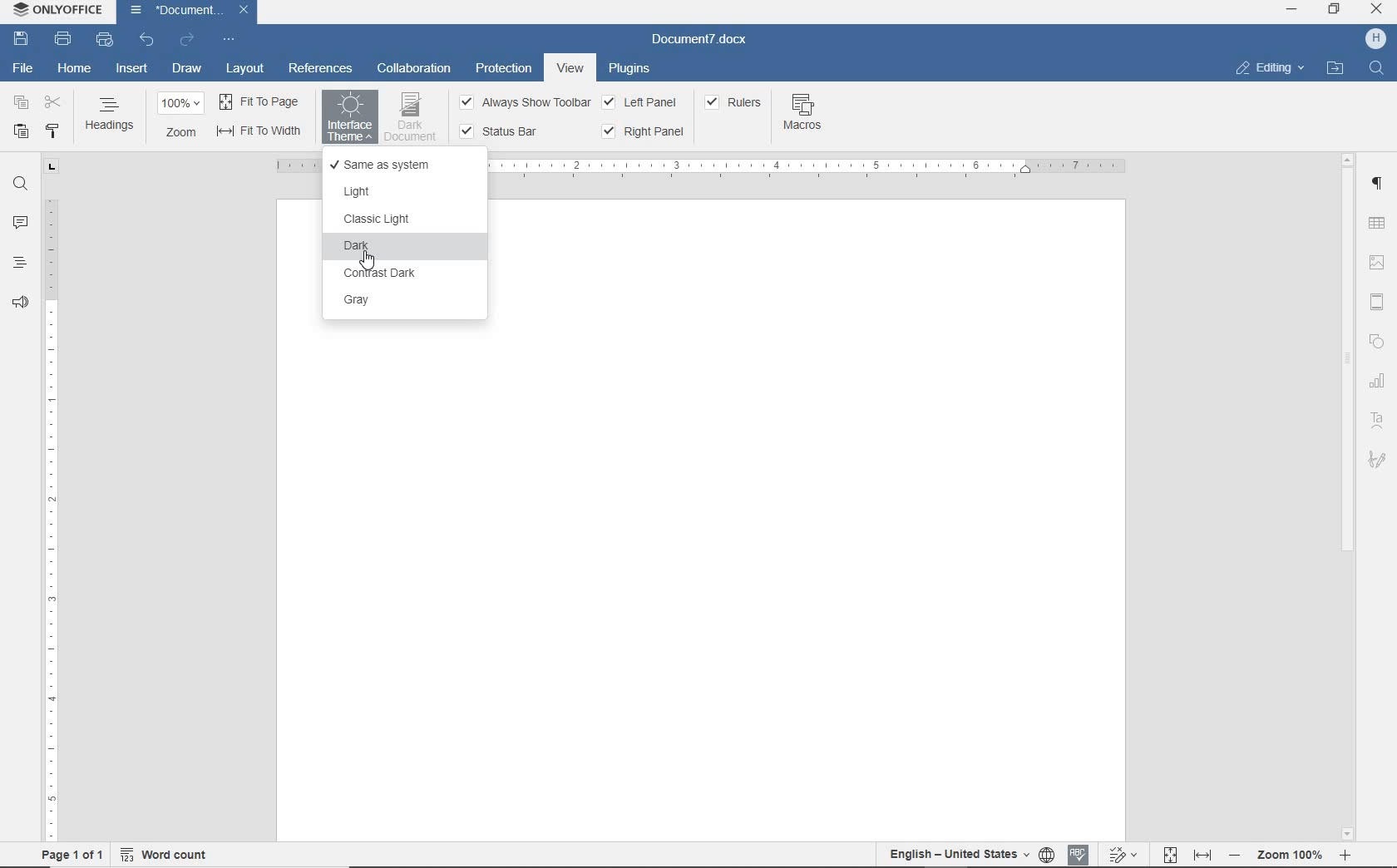 Image resolution: width=1397 pixels, height=868 pixels. What do you see at coordinates (499, 131) in the screenshot?
I see `STATUS BBAR` at bounding box center [499, 131].